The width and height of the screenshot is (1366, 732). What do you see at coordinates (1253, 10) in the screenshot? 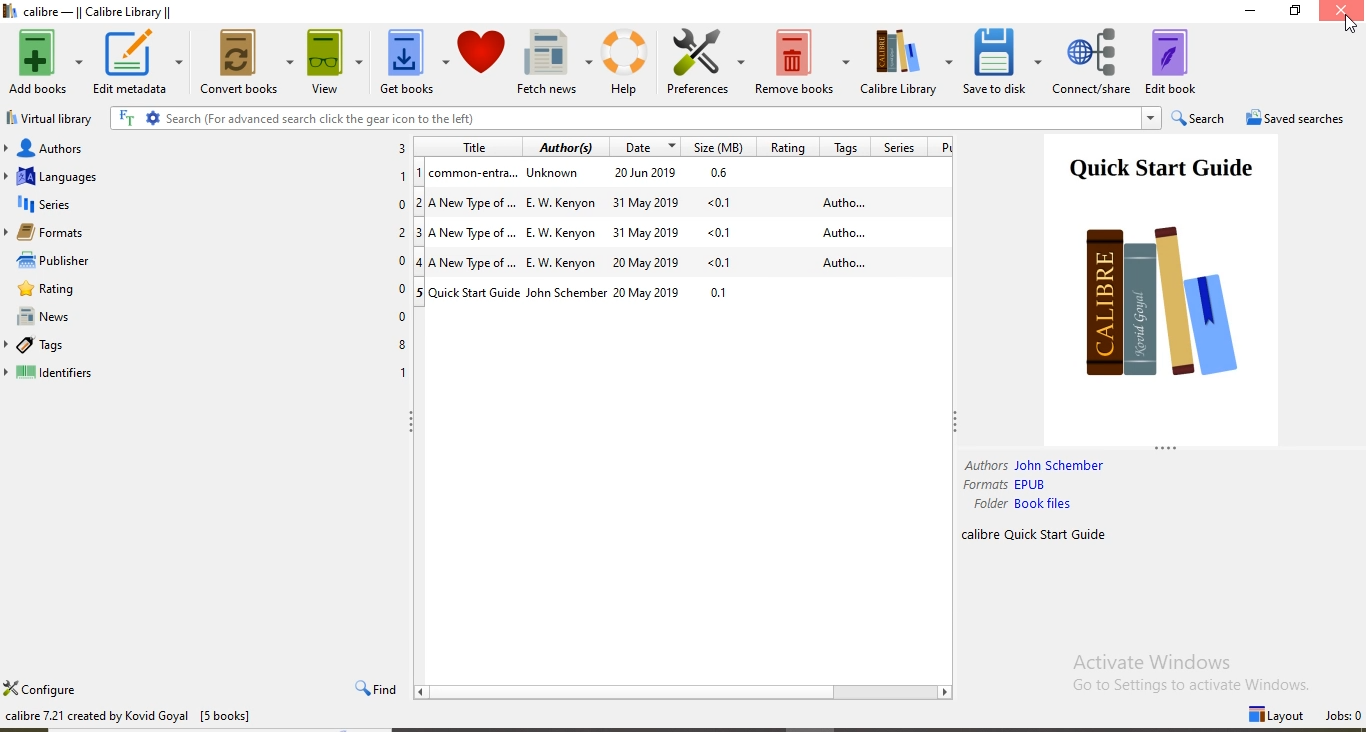
I see `Minimise` at bounding box center [1253, 10].